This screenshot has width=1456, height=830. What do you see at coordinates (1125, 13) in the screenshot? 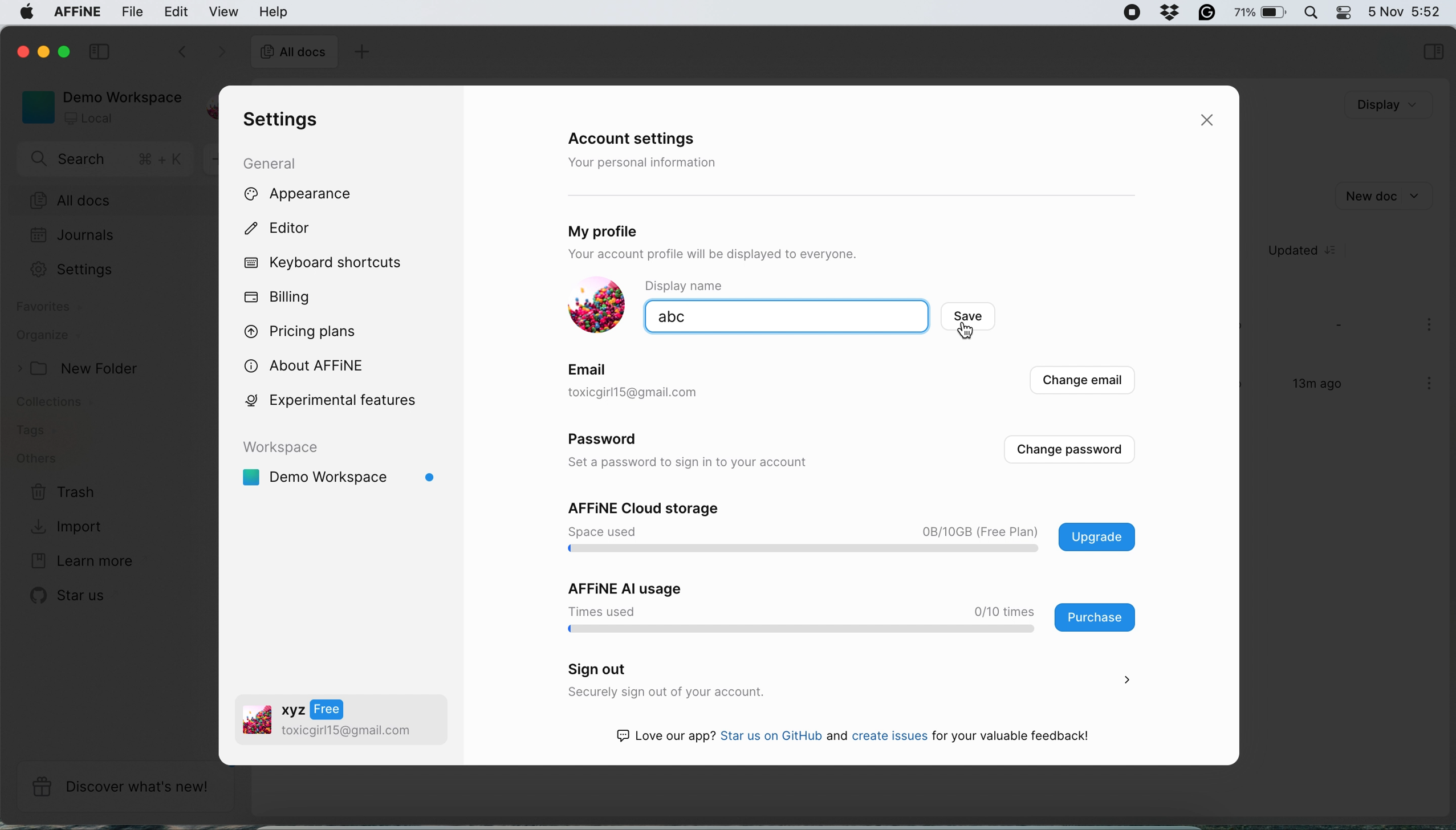
I see `screen recorder` at bounding box center [1125, 13].